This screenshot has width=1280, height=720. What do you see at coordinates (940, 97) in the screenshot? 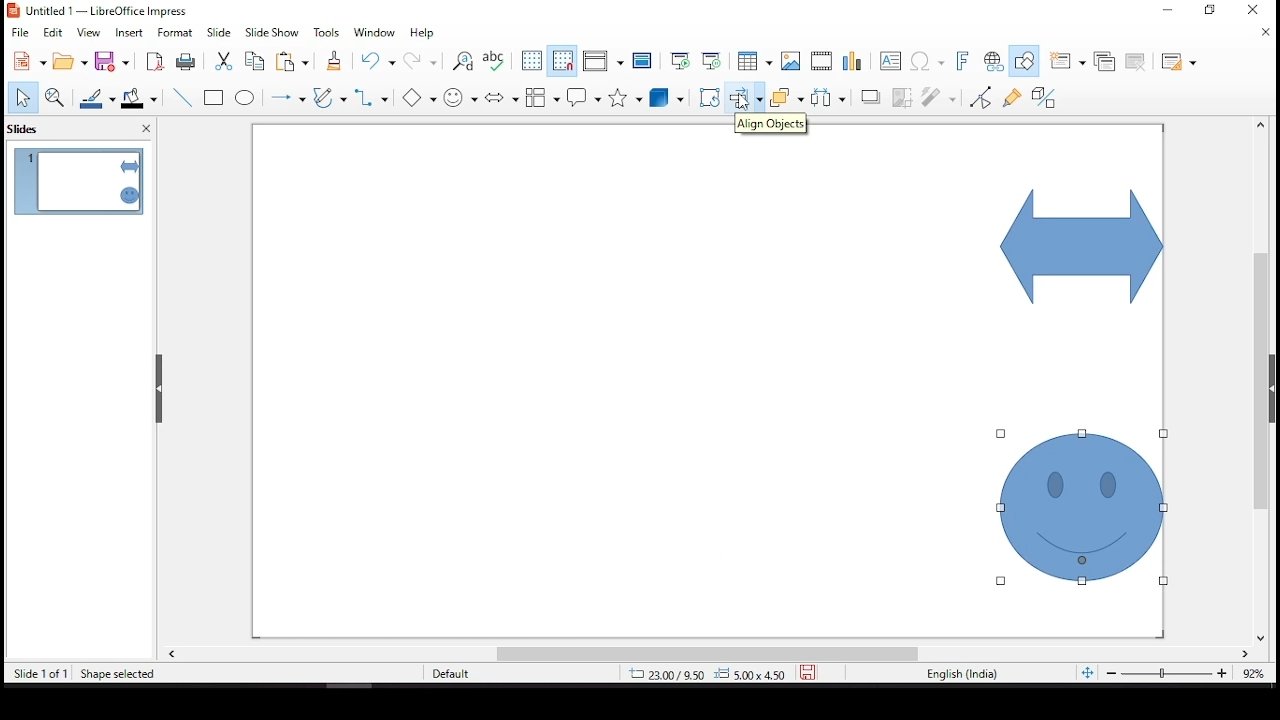
I see `filter` at bounding box center [940, 97].